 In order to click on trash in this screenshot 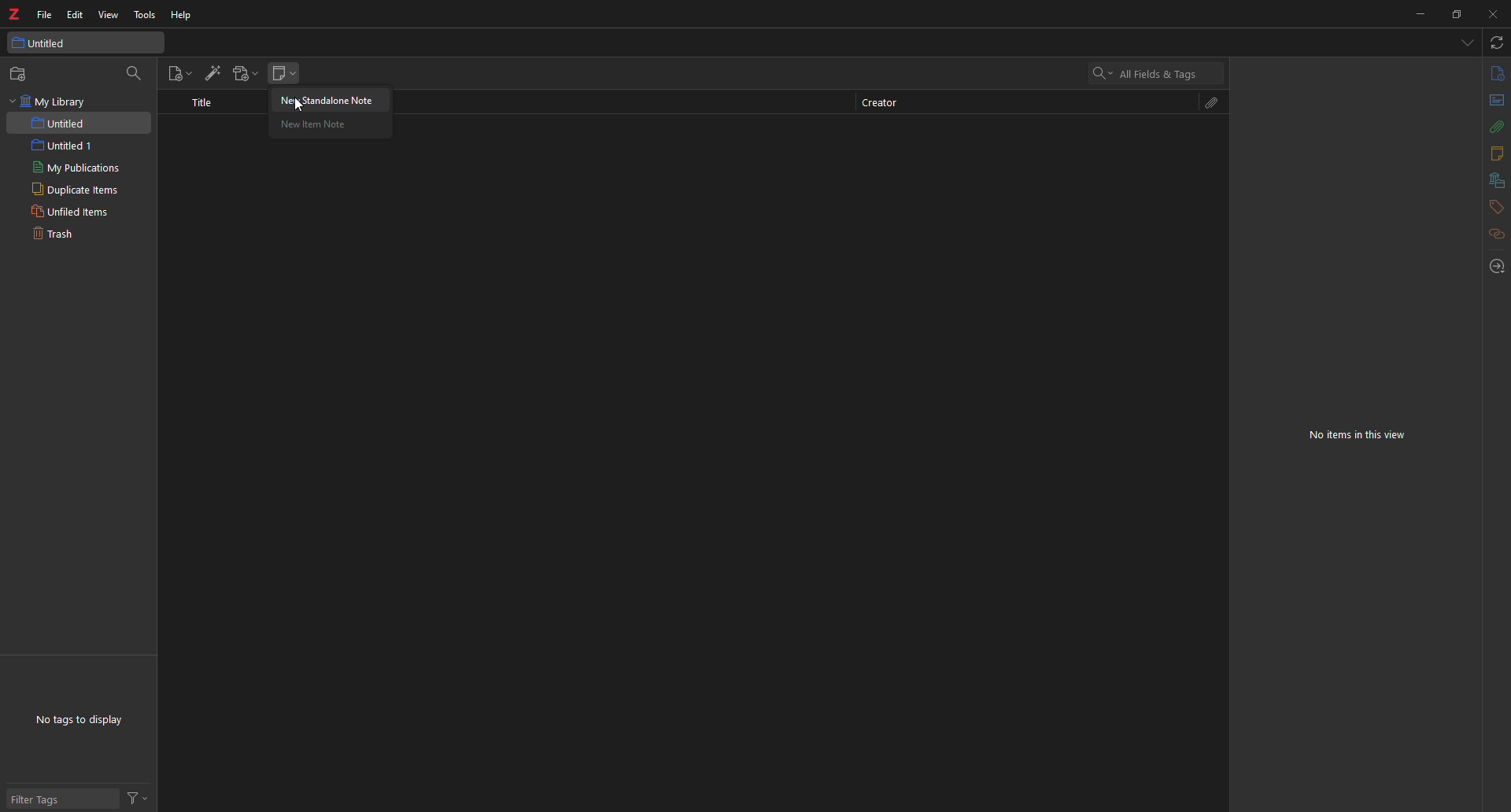, I will do `click(57, 235)`.